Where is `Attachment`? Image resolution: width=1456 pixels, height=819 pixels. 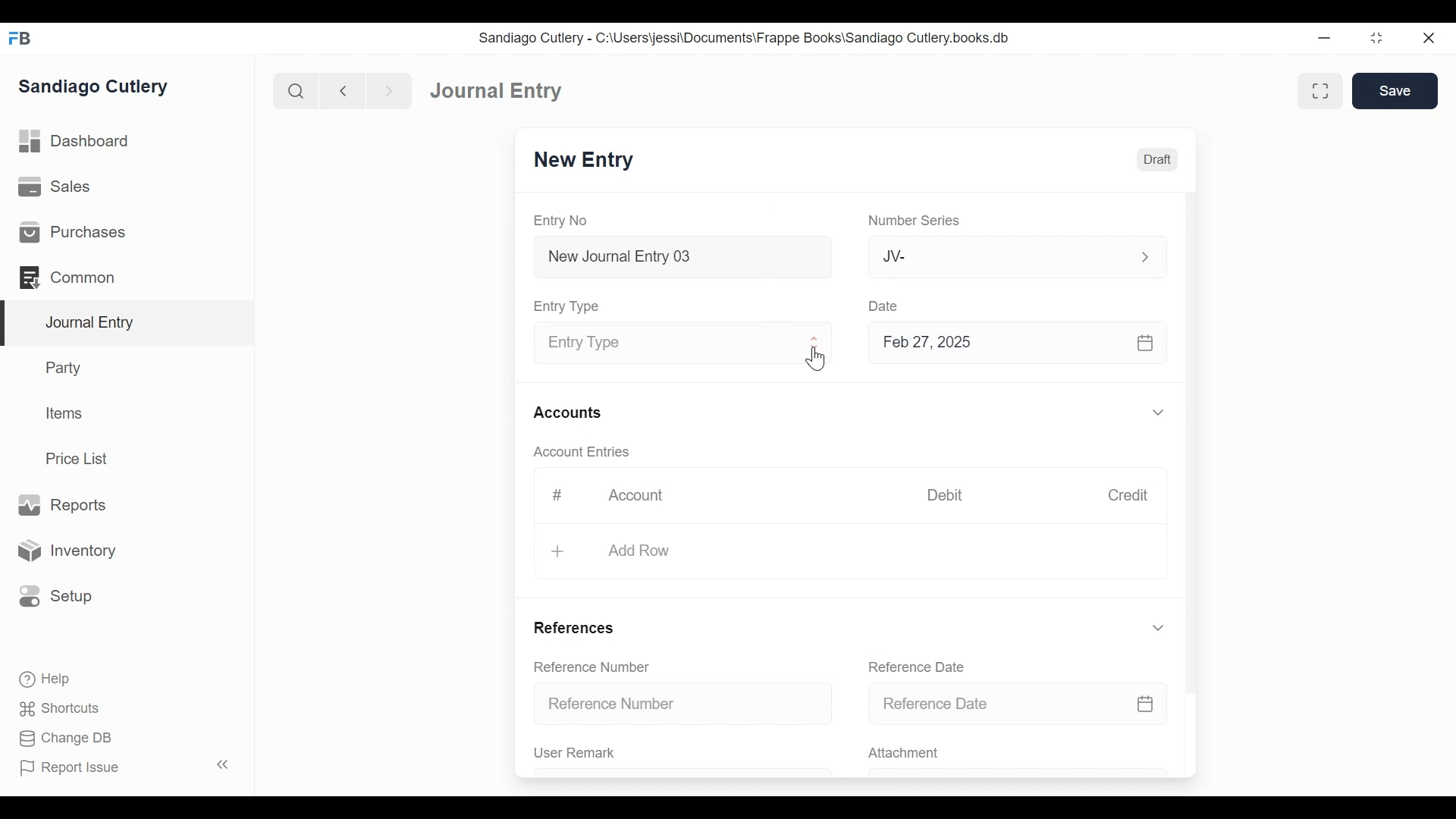 Attachment is located at coordinates (903, 755).